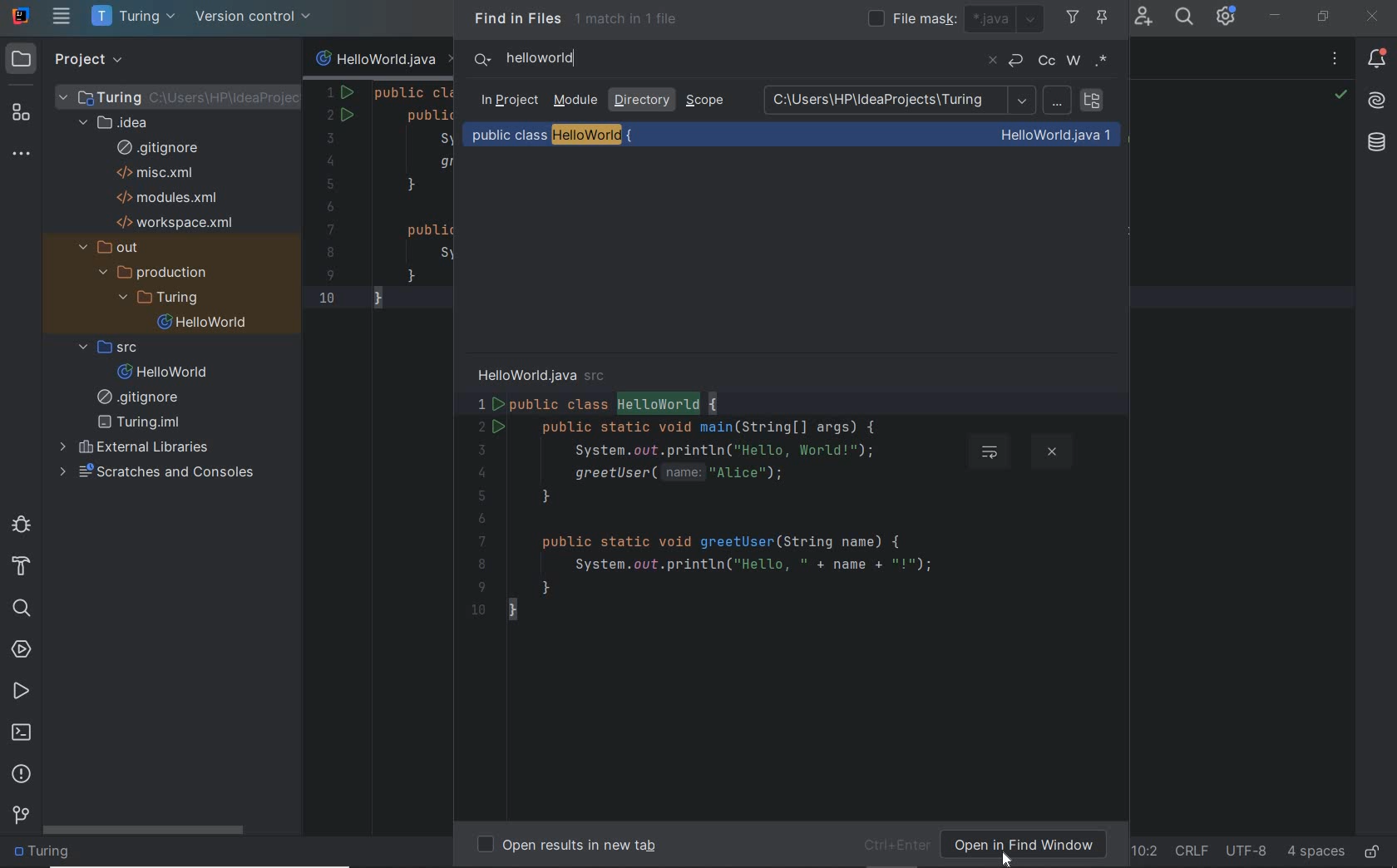  What do you see at coordinates (696, 517) in the screenshot?
I see `codes` at bounding box center [696, 517].